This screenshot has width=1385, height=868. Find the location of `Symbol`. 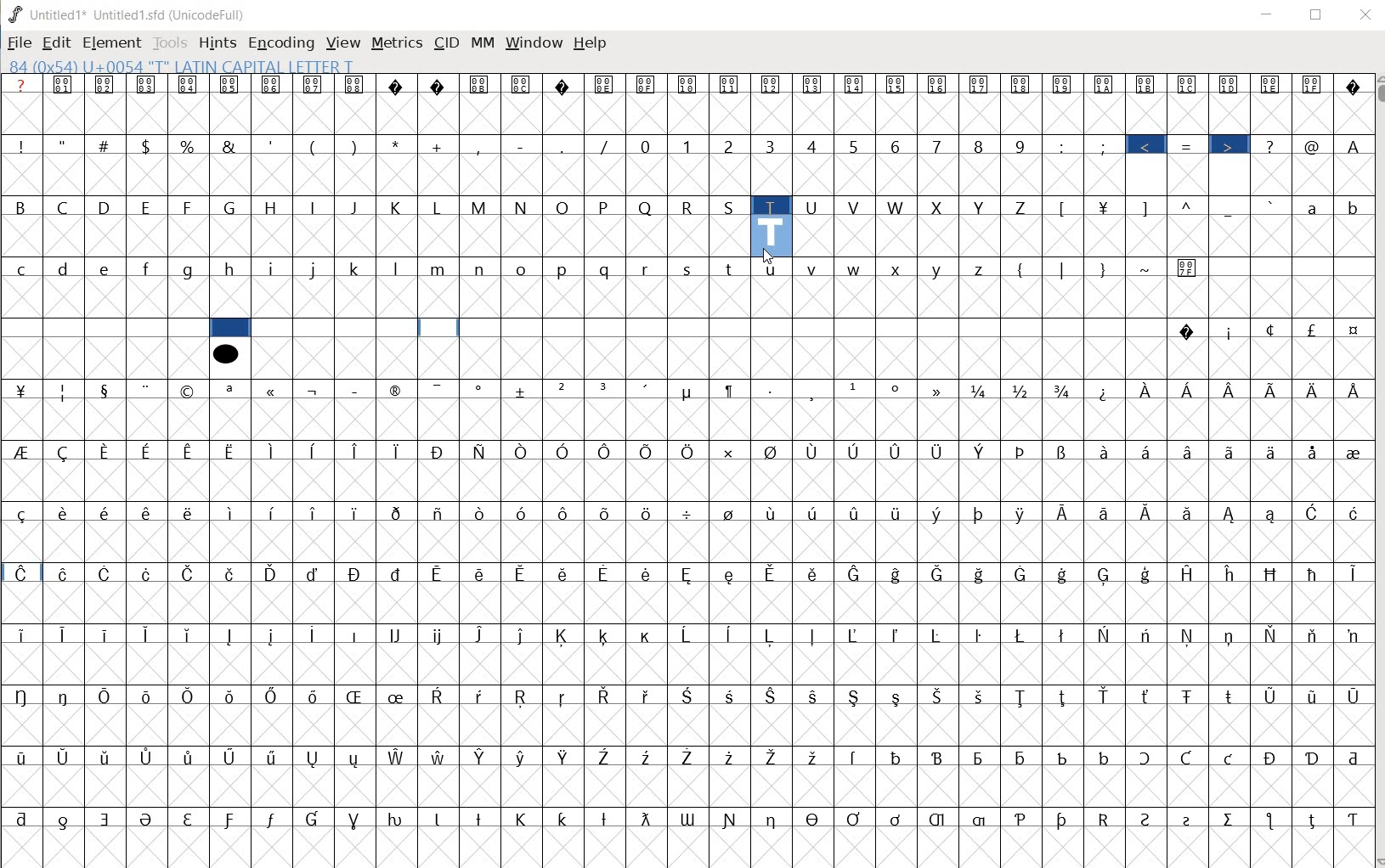

Symbol is located at coordinates (565, 84).